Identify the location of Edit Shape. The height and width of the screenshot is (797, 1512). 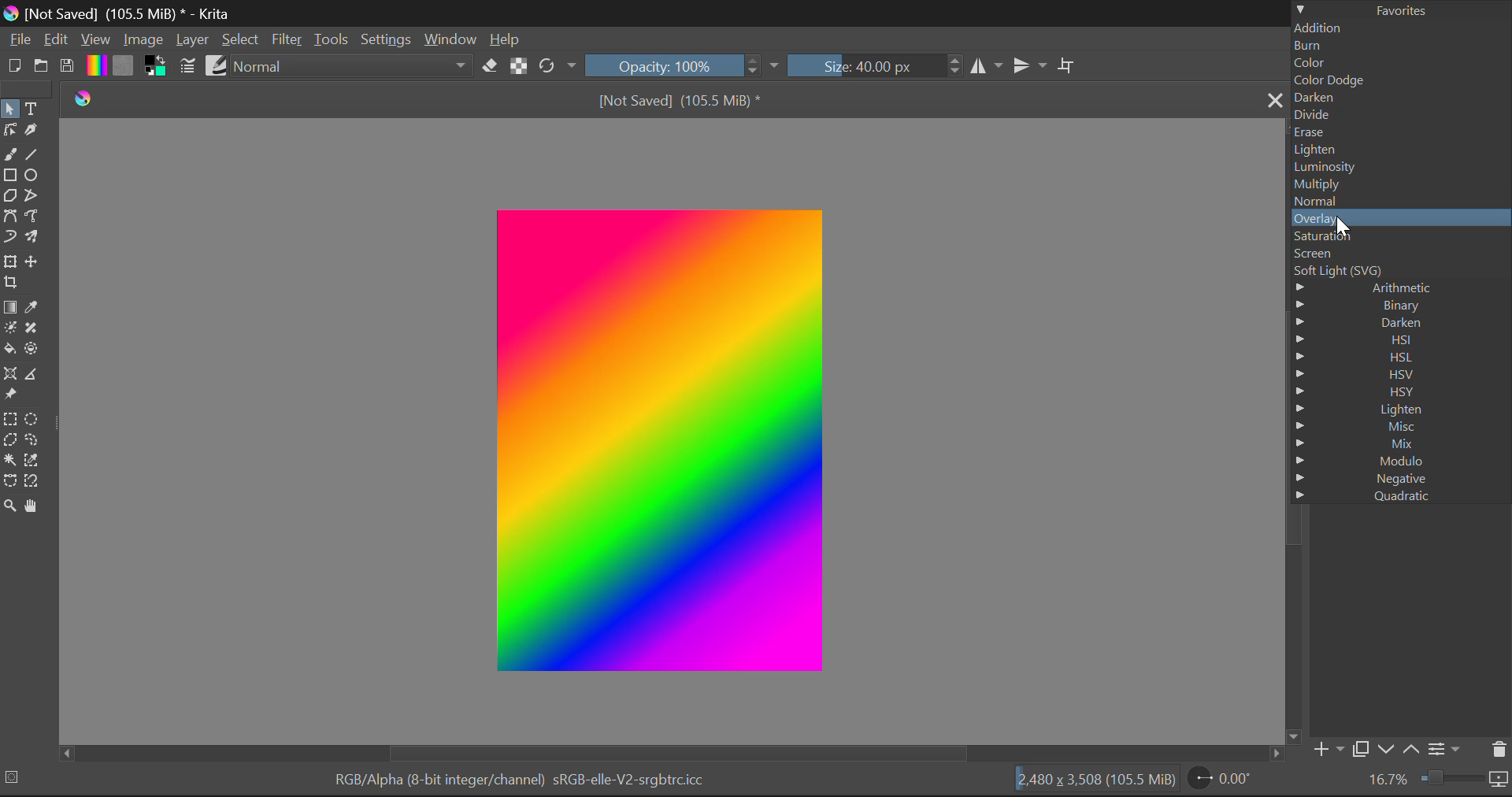
(9, 130).